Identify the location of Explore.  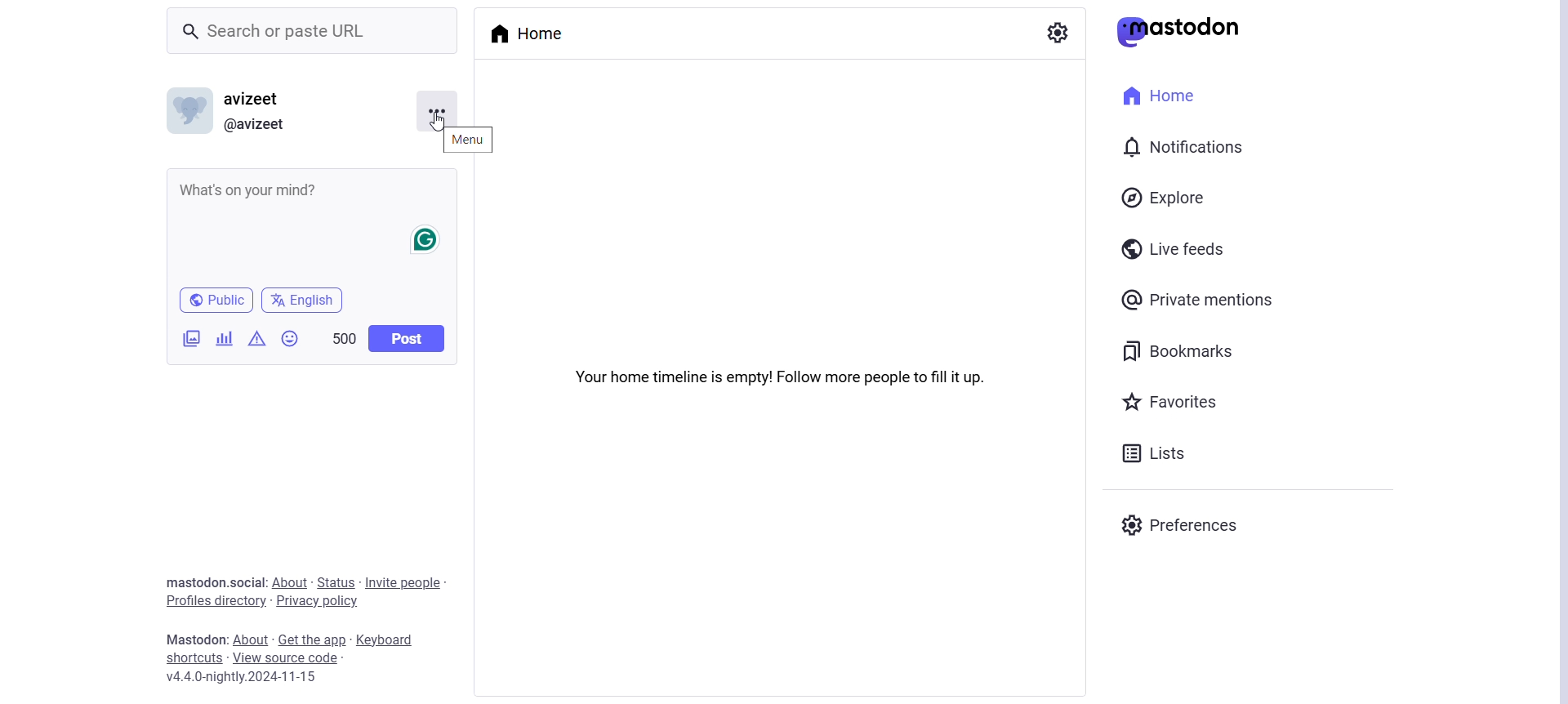
(1171, 196).